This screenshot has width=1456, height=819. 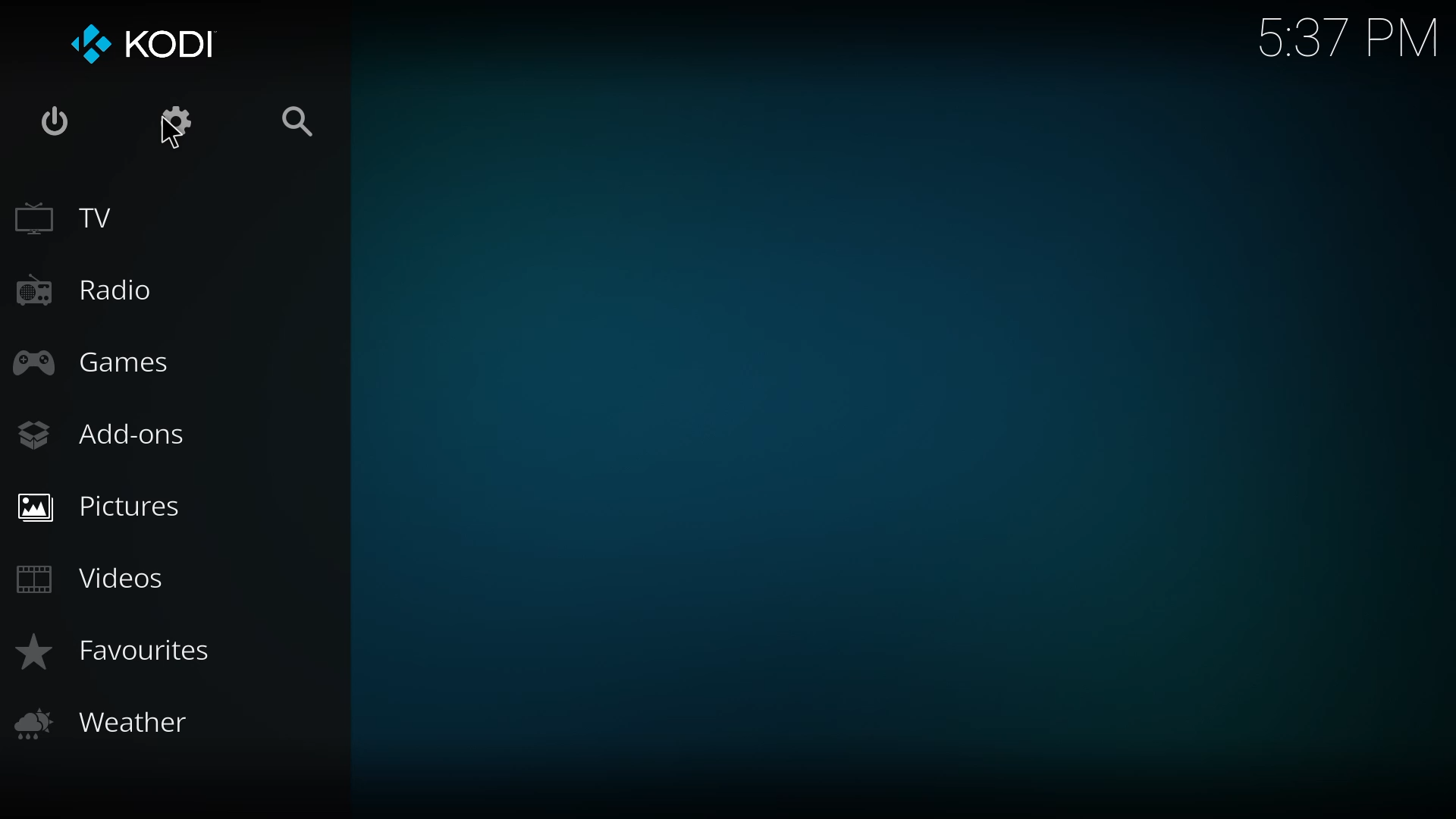 What do you see at coordinates (74, 223) in the screenshot?
I see `tv` at bounding box center [74, 223].